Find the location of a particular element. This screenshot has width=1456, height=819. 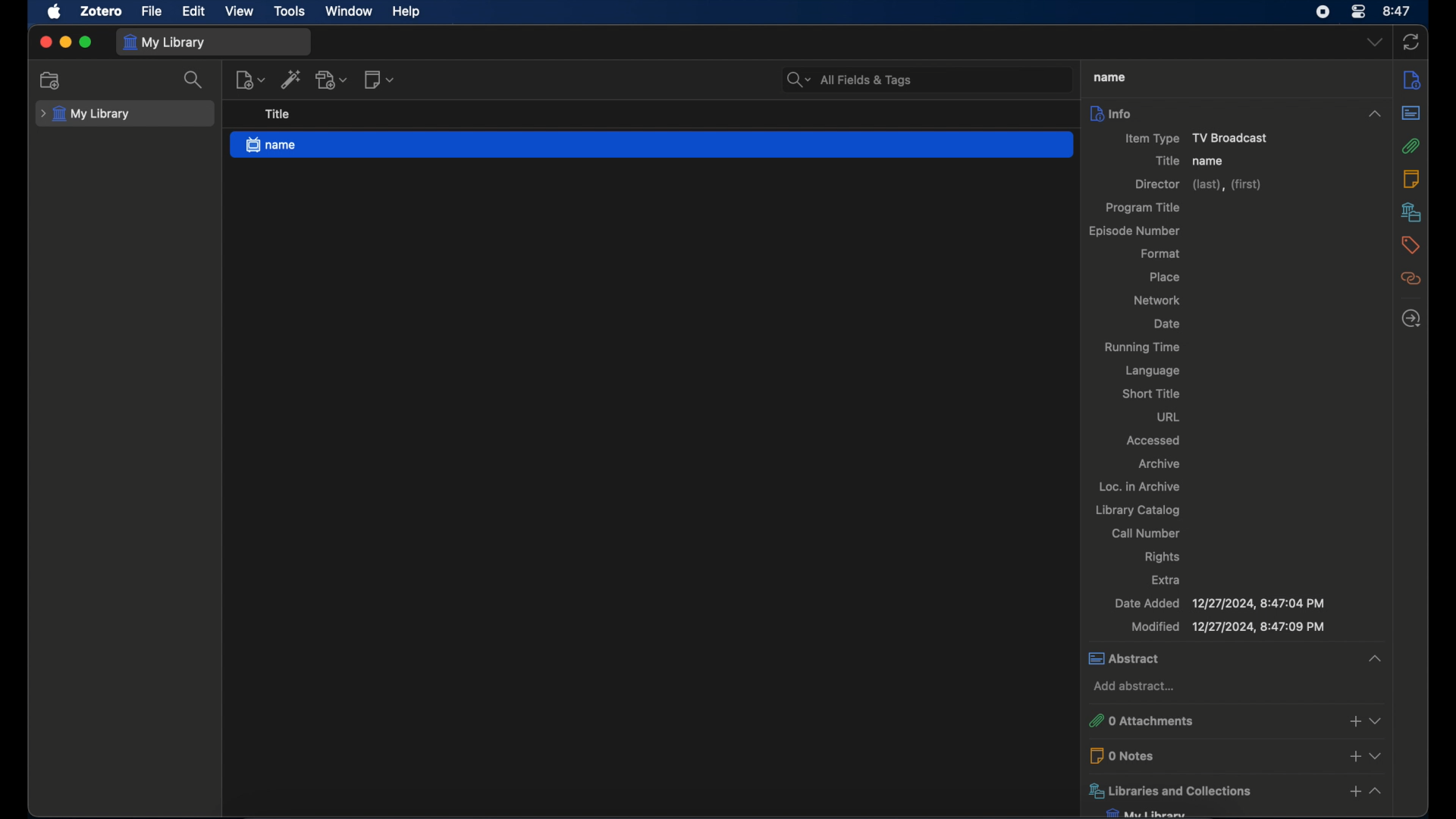

running time is located at coordinates (1143, 348).